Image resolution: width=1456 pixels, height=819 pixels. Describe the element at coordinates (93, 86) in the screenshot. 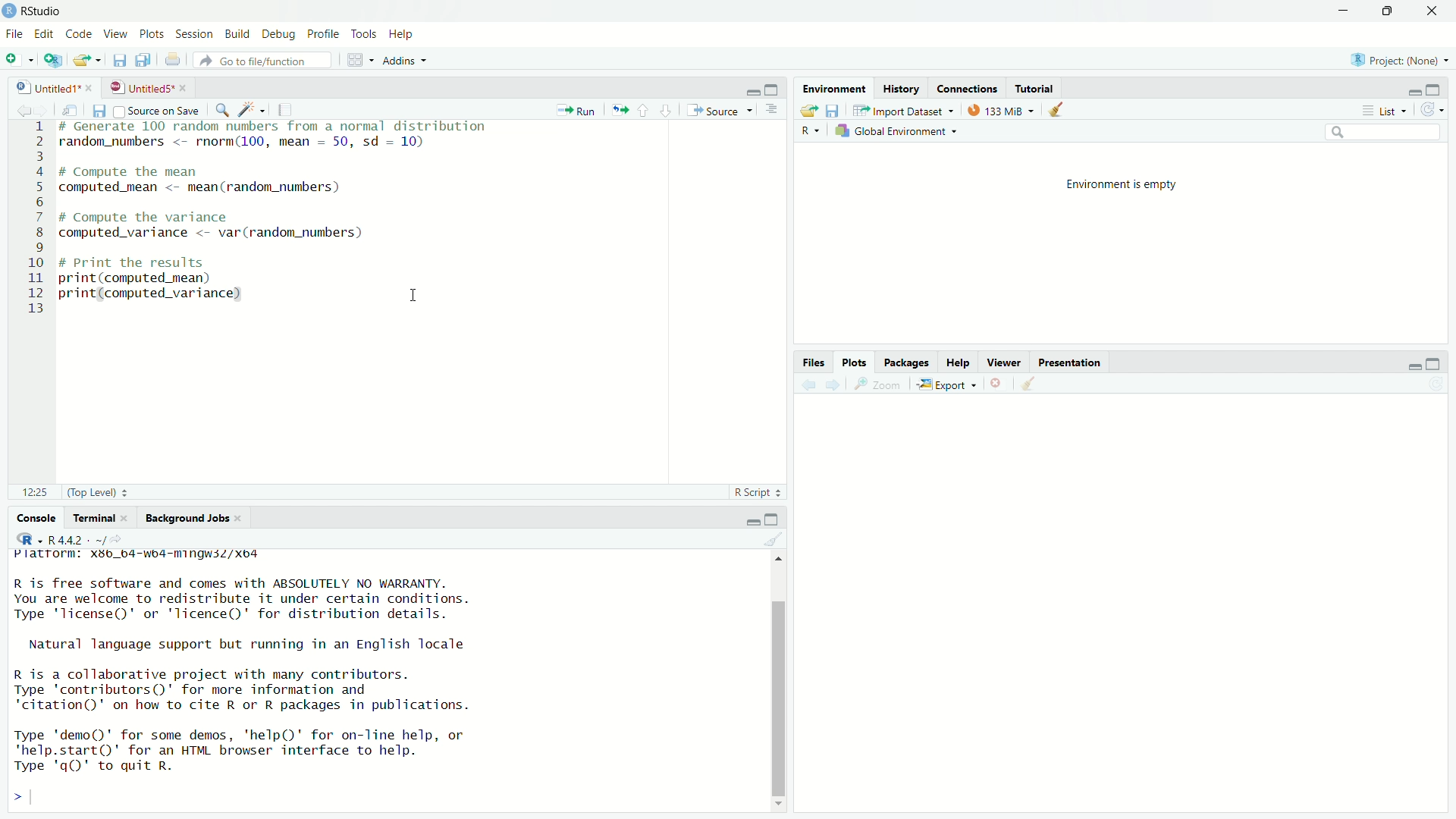

I see `close` at that location.